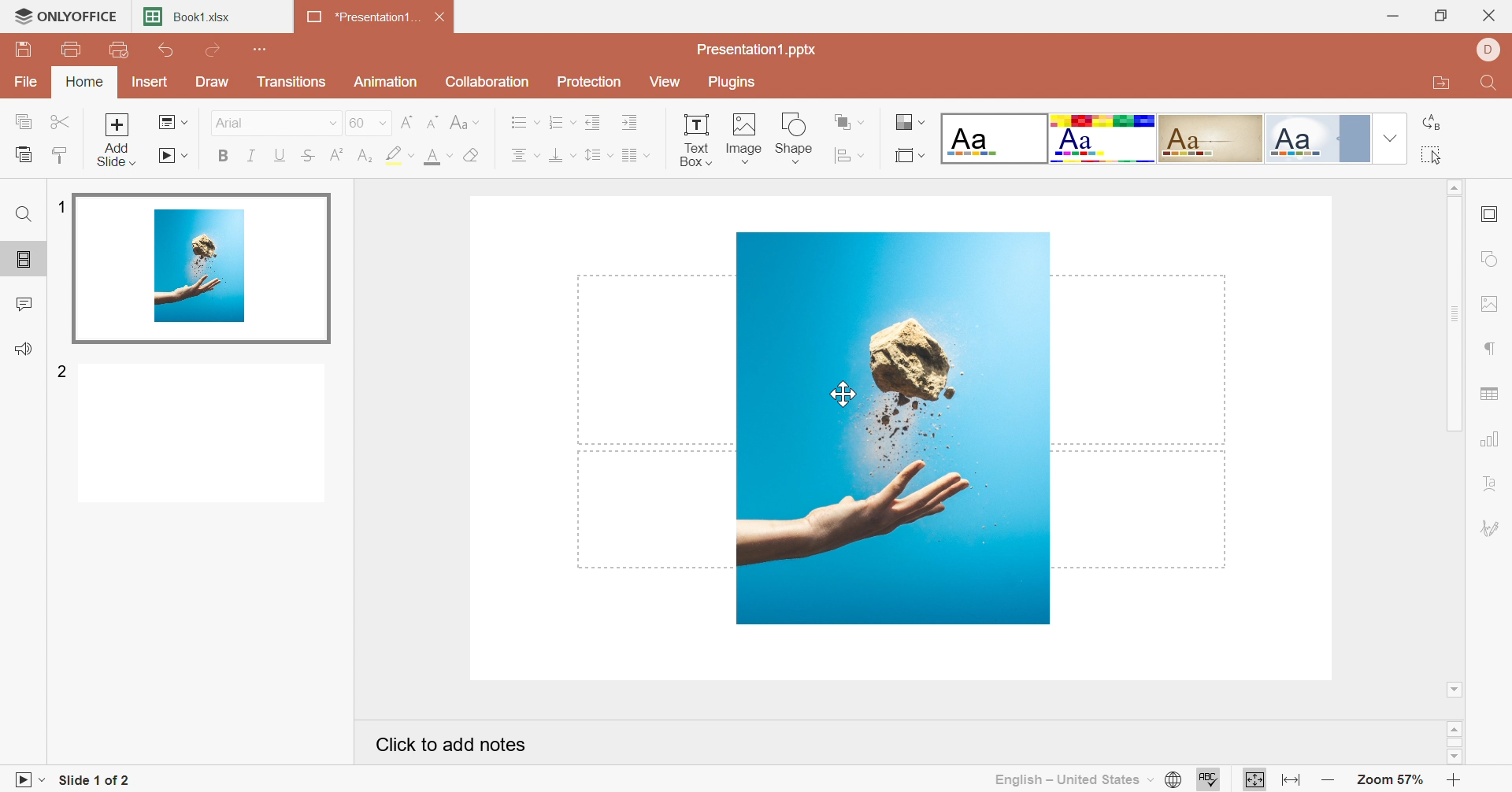 The height and width of the screenshot is (792, 1512). I want to click on Protection, so click(591, 82).